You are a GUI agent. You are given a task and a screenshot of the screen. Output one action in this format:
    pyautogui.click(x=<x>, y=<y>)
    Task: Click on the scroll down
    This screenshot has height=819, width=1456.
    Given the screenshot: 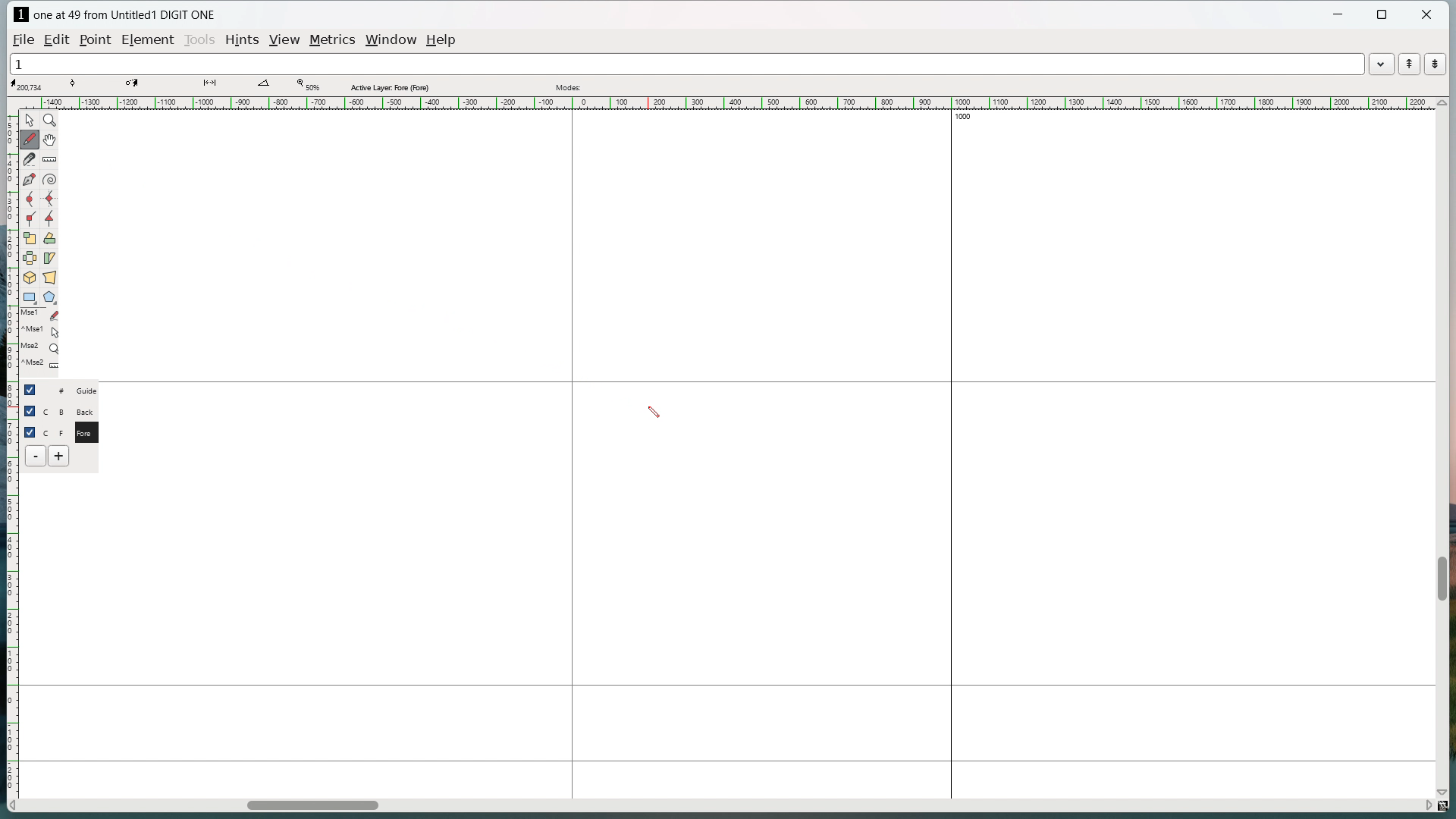 What is the action you would take?
    pyautogui.click(x=1446, y=789)
    